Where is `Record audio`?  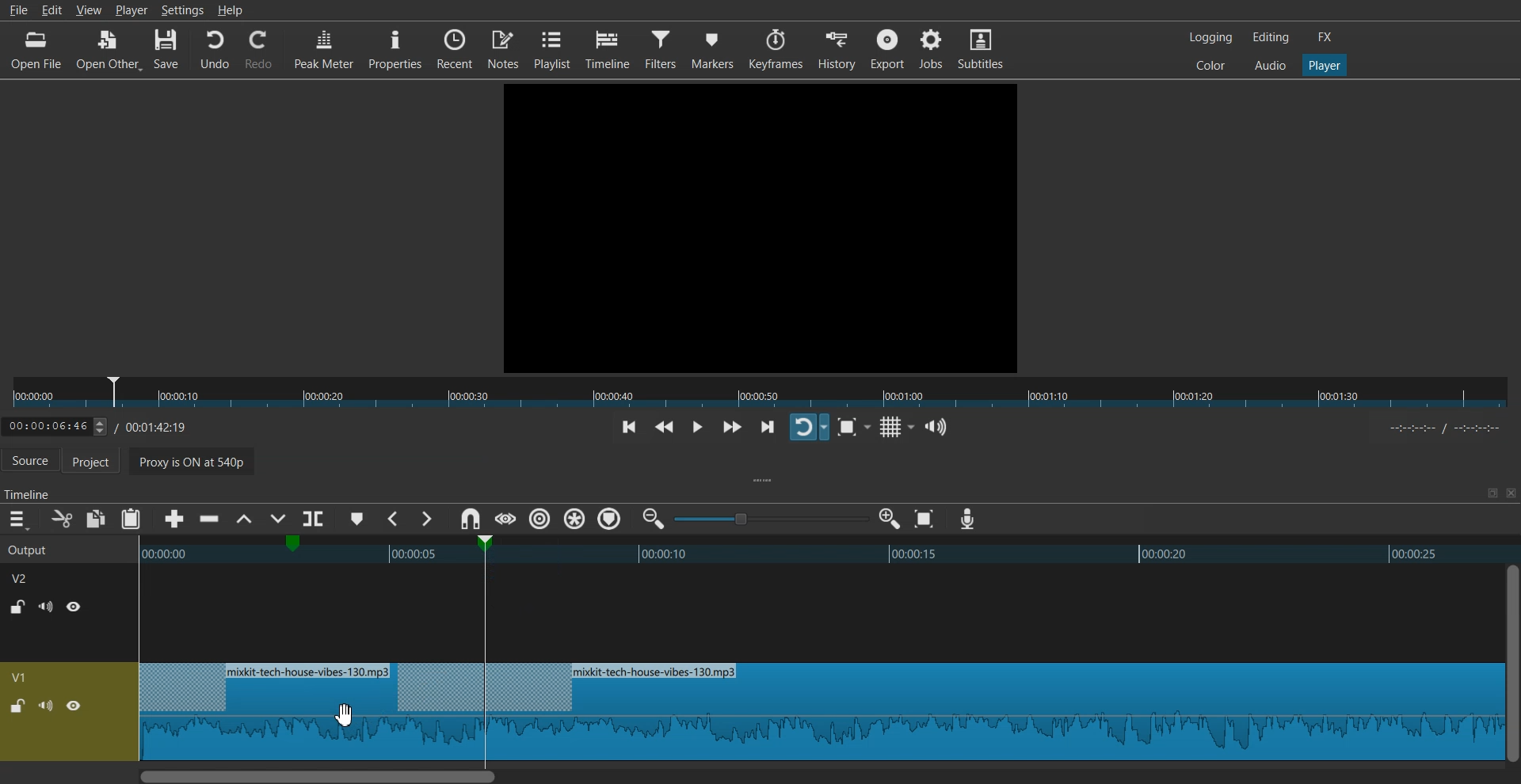
Record audio is located at coordinates (966, 519).